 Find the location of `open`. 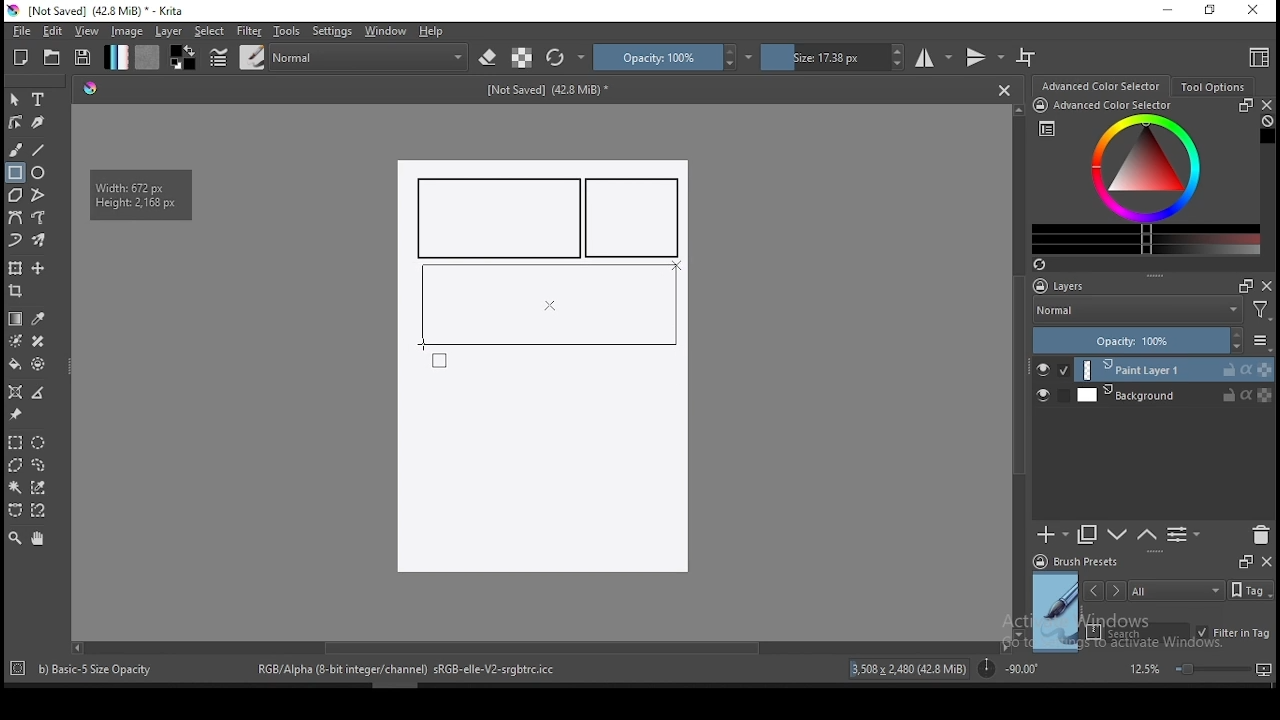

open is located at coordinates (52, 57).